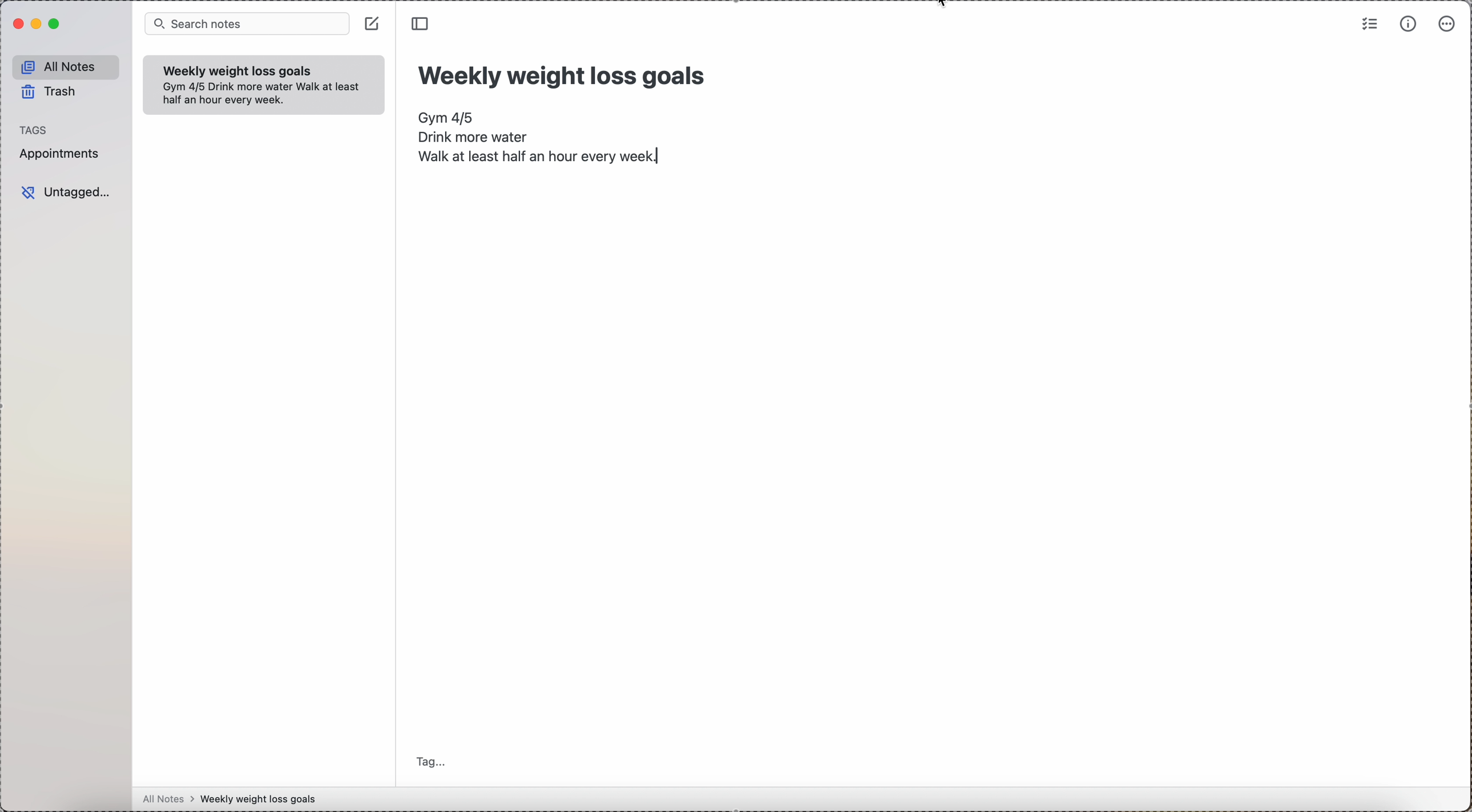  I want to click on walk at least, so click(331, 86).